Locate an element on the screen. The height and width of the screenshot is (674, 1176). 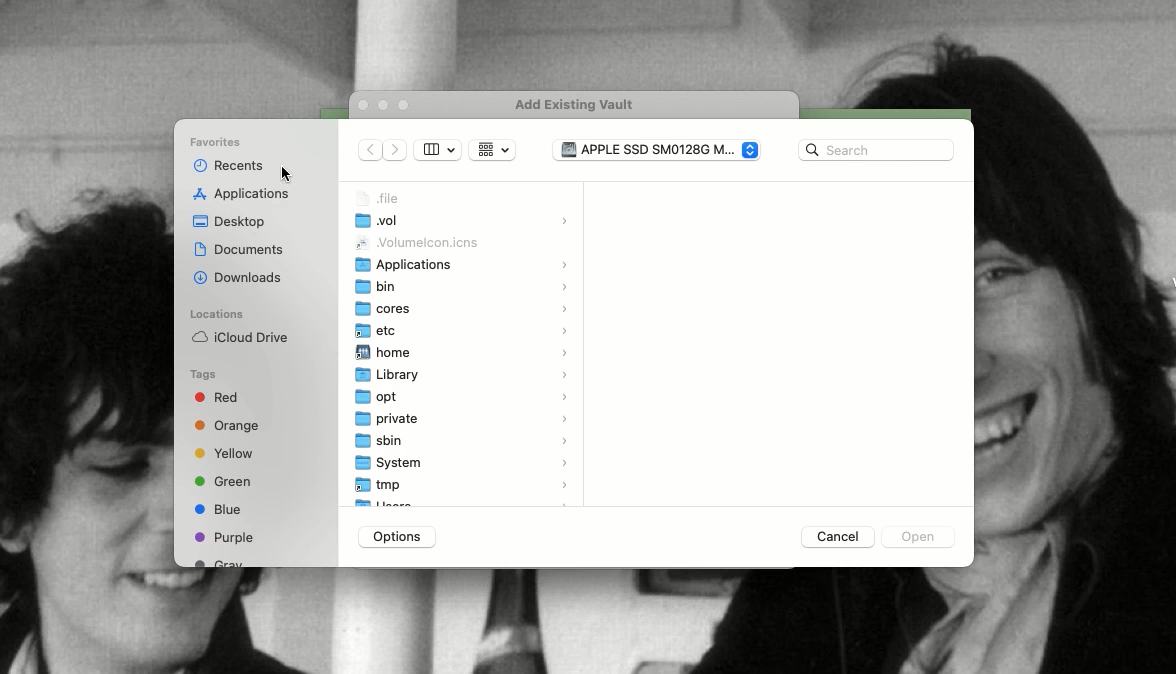
Open is located at coordinates (915, 539).